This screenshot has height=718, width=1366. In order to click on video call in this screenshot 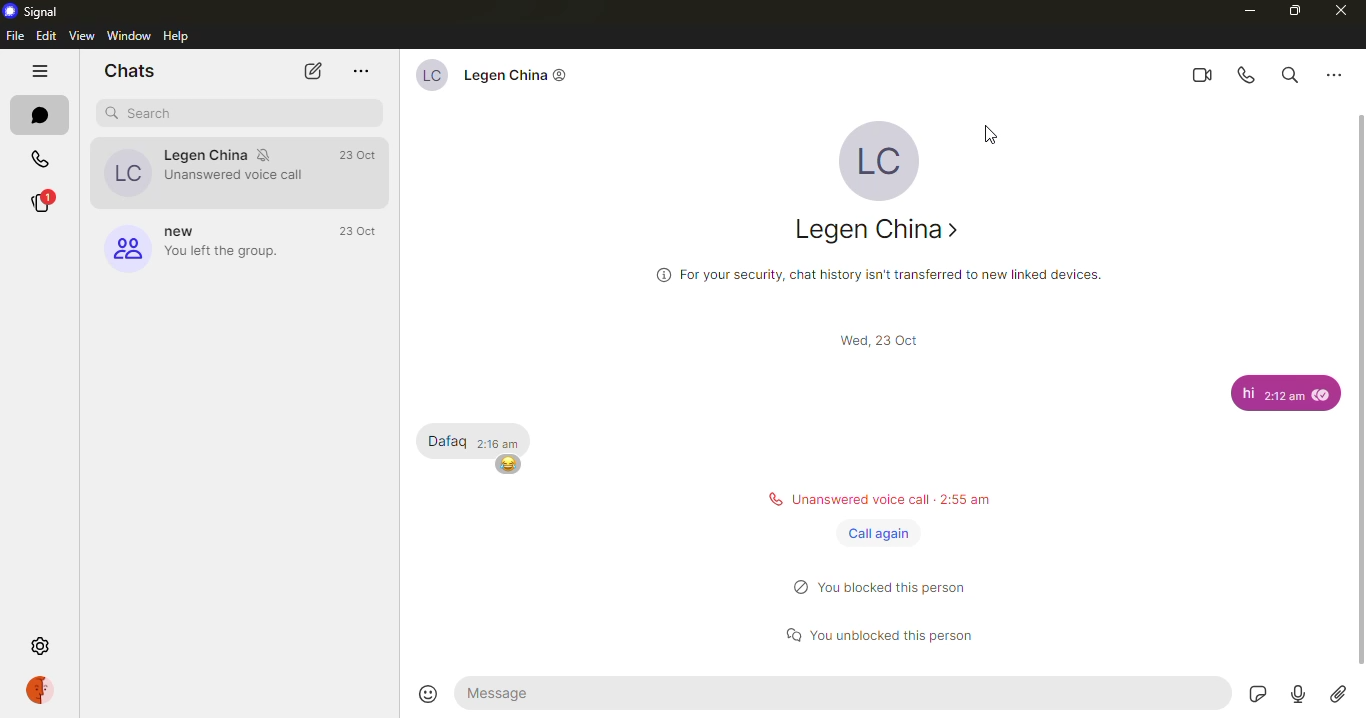, I will do `click(1199, 75)`.